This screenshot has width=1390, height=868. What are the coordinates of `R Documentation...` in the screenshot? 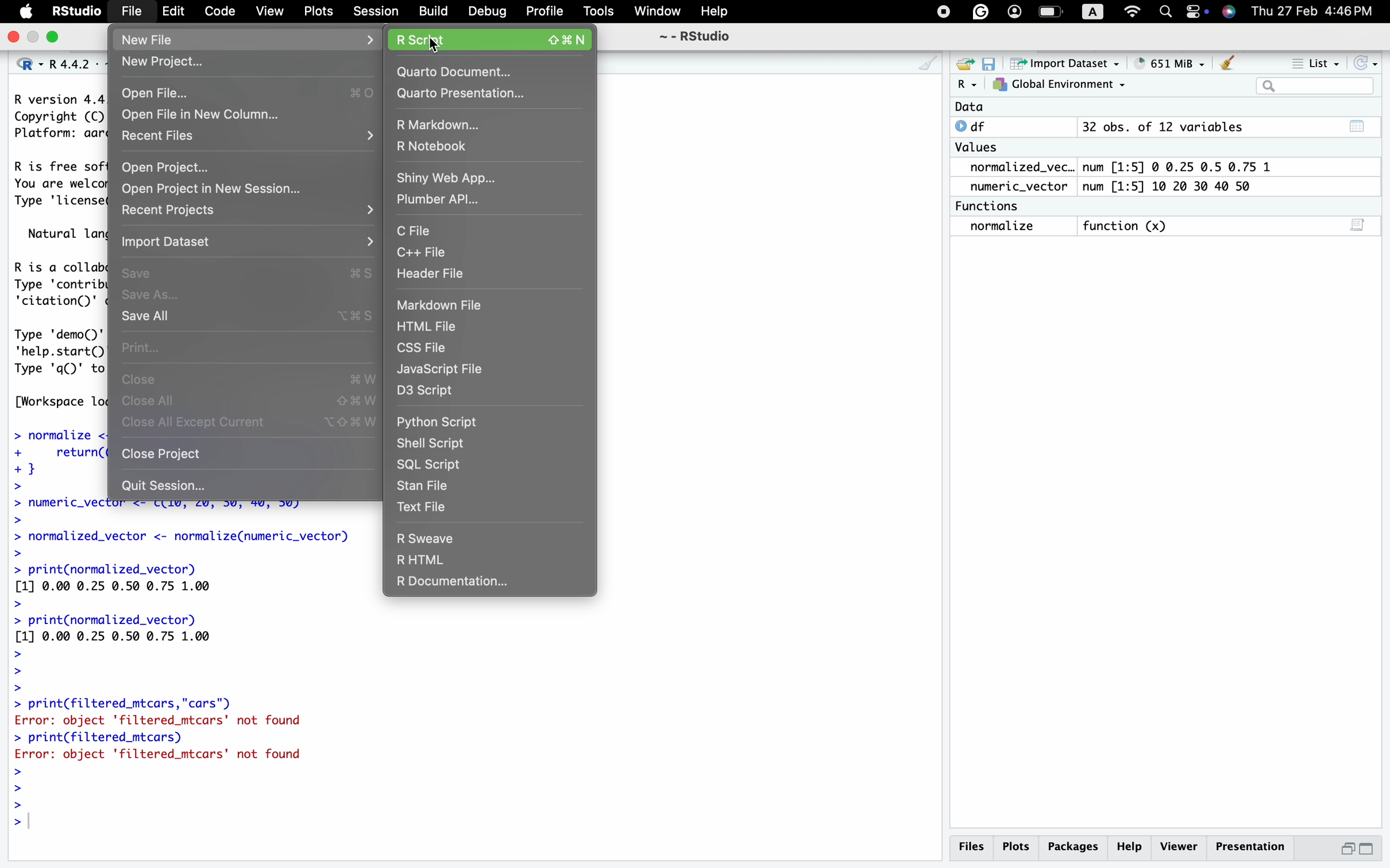 It's located at (465, 583).